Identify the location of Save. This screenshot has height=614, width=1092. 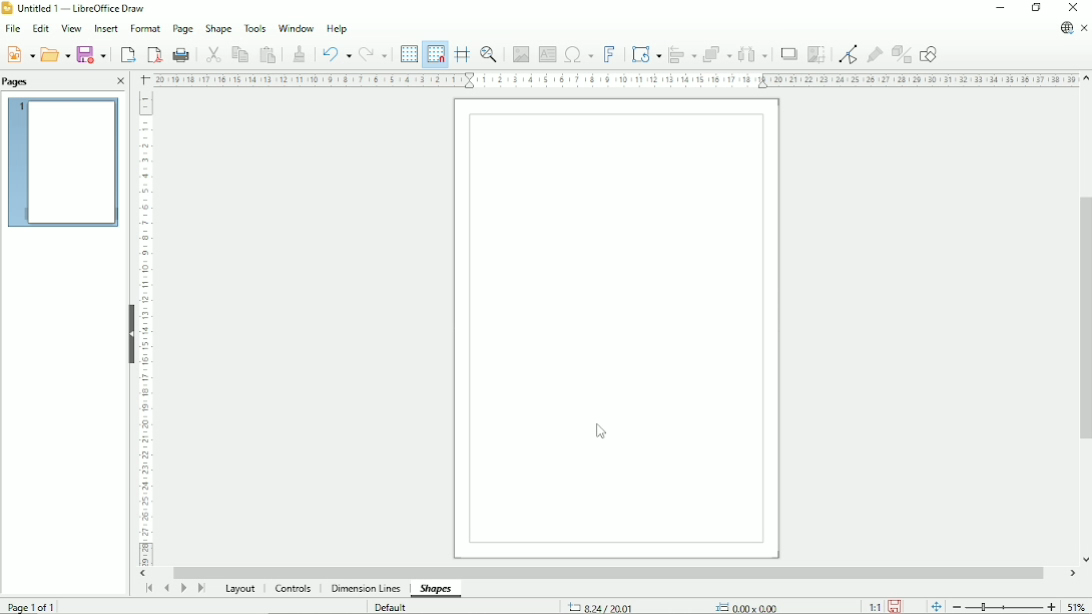
(93, 54).